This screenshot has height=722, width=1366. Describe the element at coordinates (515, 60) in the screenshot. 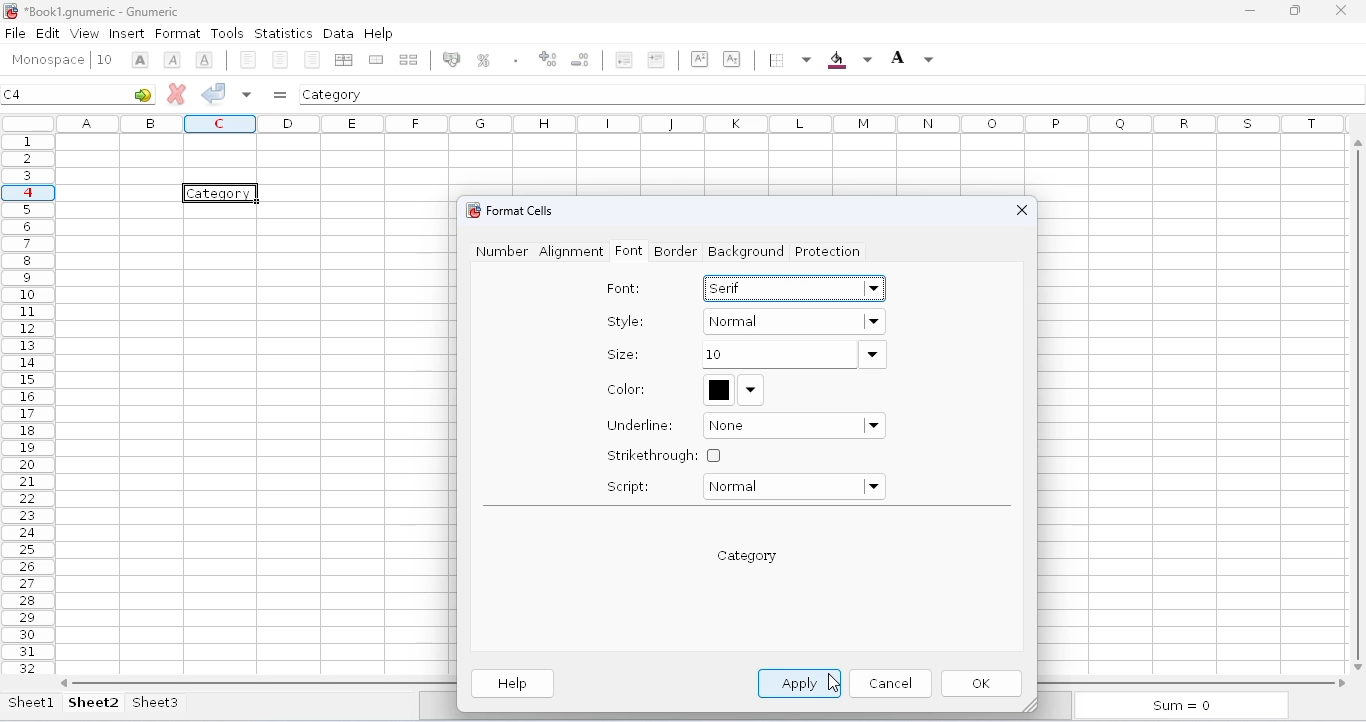

I see `set the format of the selected cells to include a thousands separator` at that location.